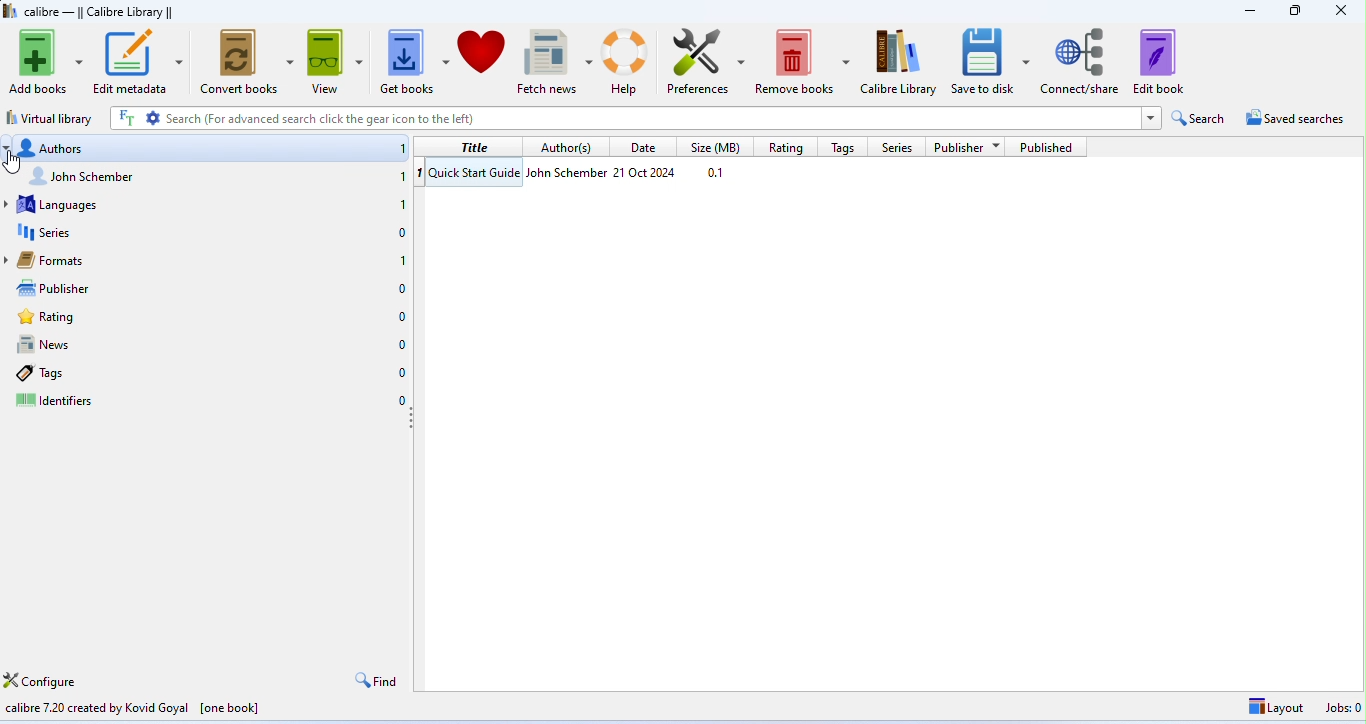  I want to click on rating, so click(788, 147).